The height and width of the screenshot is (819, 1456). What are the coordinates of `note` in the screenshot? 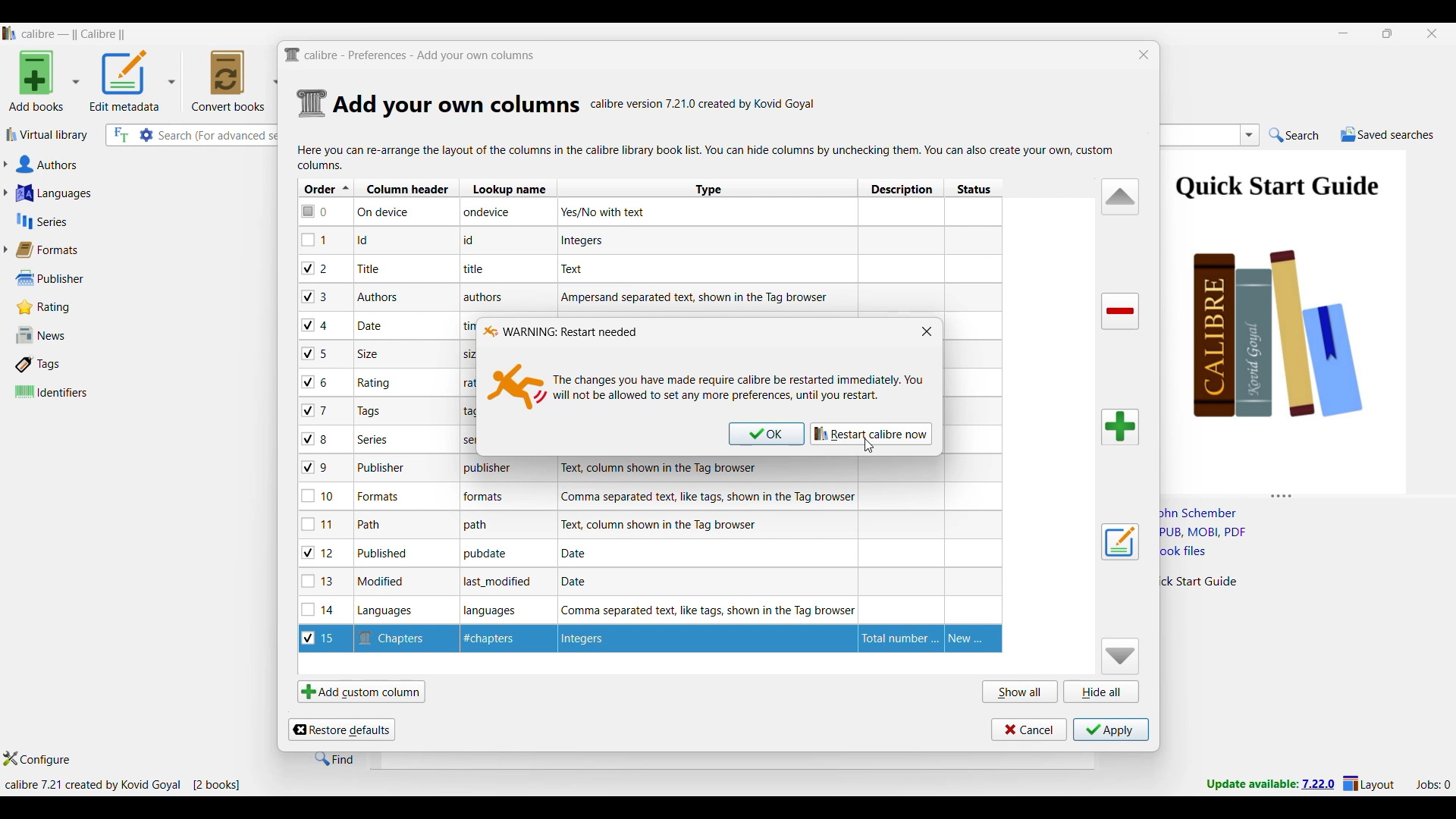 It's located at (485, 240).